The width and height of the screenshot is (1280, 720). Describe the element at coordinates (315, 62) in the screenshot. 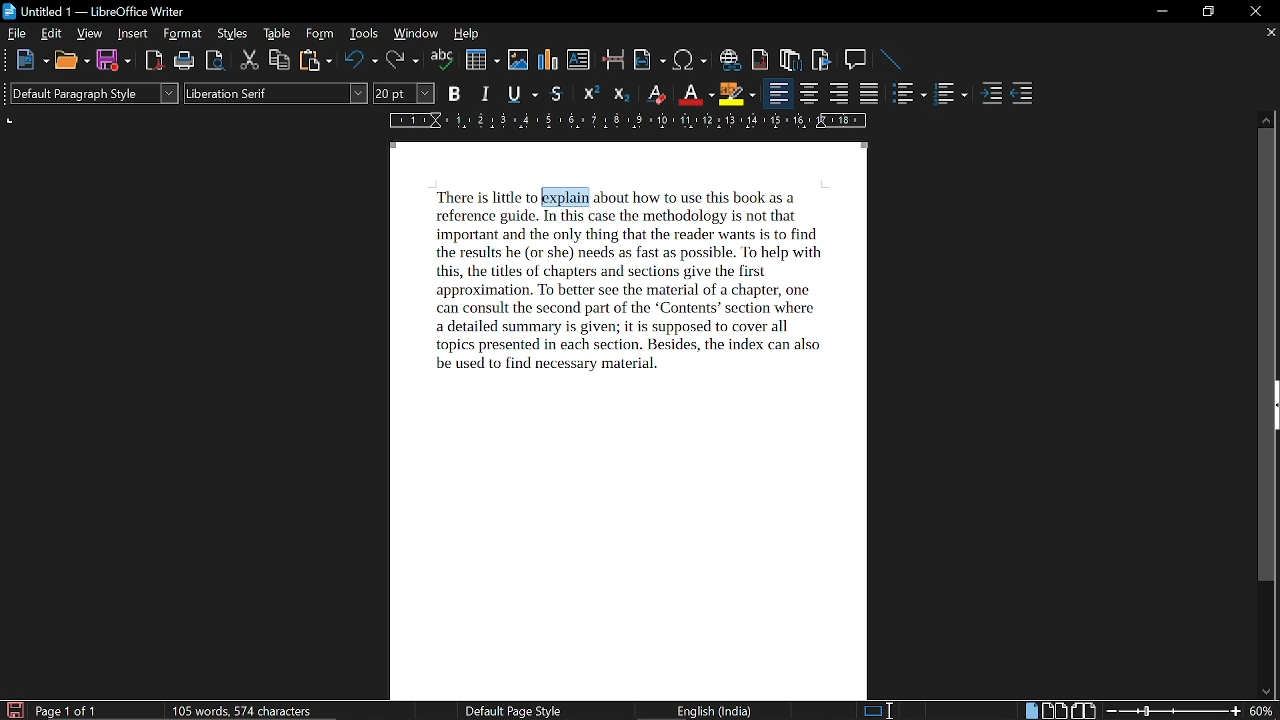

I see `paste` at that location.